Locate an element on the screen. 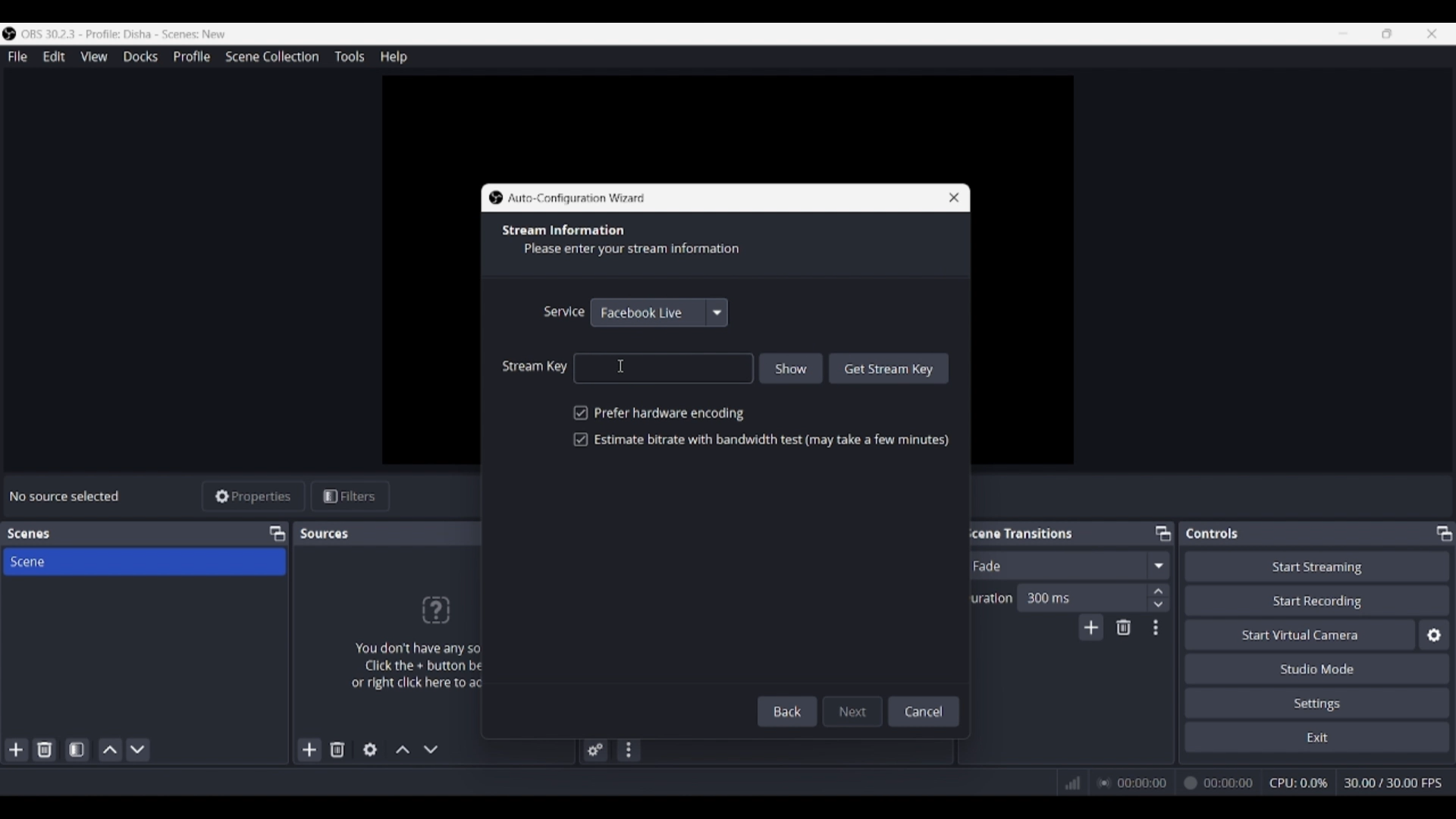 The width and height of the screenshot is (1456, 819). Settings is located at coordinates (1318, 702).